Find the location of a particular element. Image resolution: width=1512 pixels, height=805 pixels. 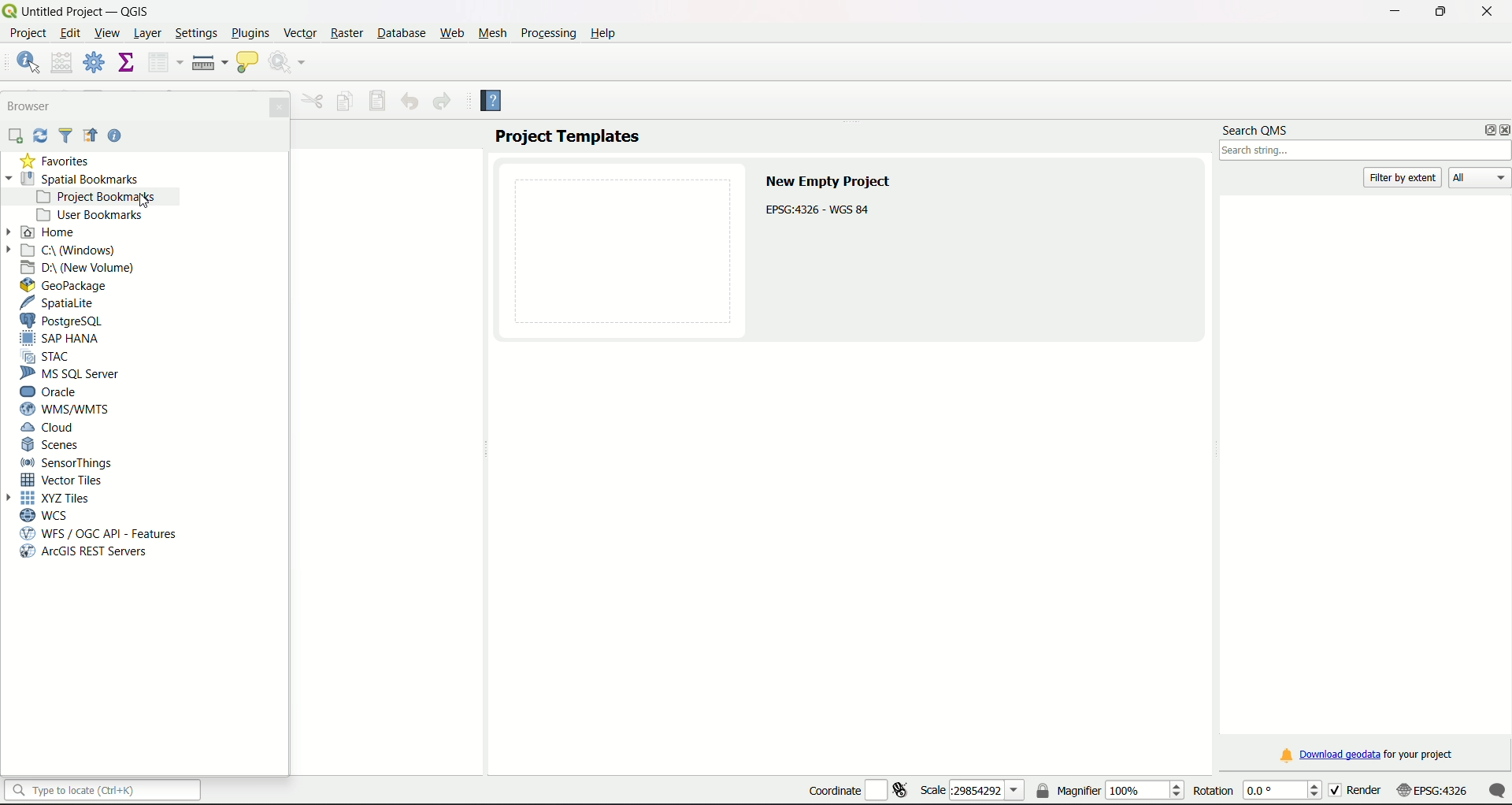

filter by extent is located at coordinates (1404, 176).